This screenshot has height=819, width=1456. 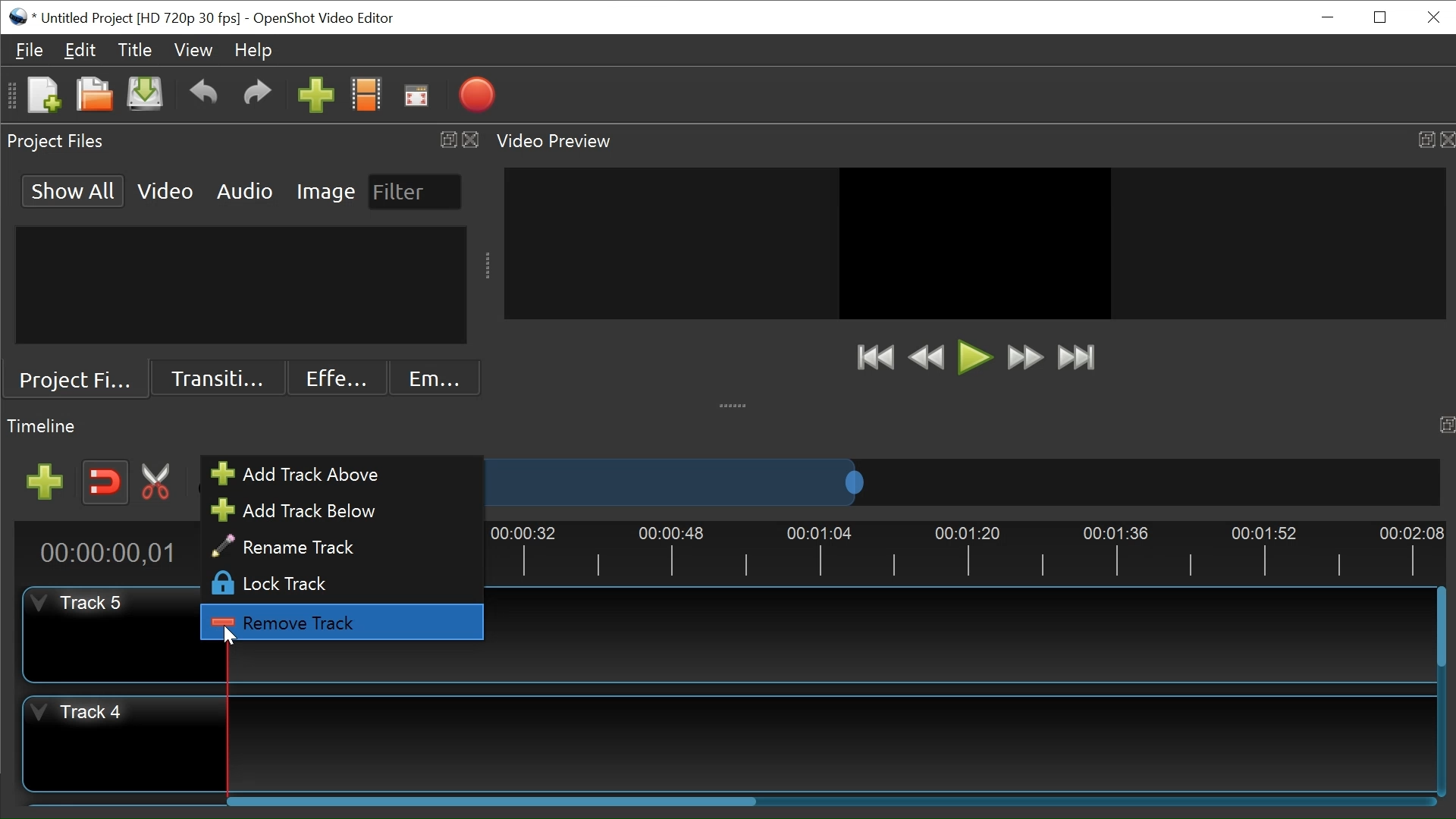 I want to click on Video, so click(x=166, y=190).